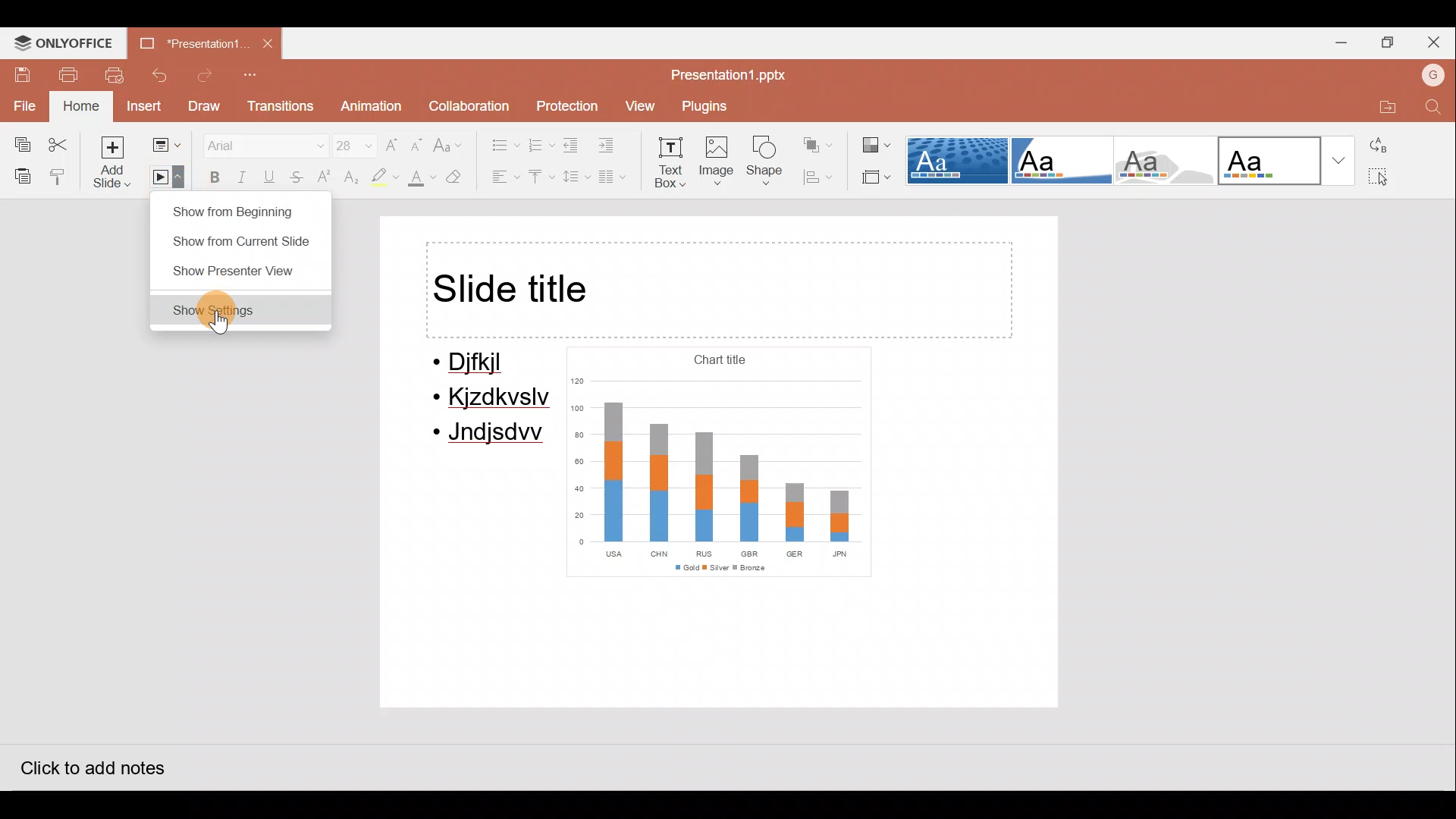 Image resolution: width=1456 pixels, height=819 pixels. What do you see at coordinates (240, 309) in the screenshot?
I see `Show settings` at bounding box center [240, 309].